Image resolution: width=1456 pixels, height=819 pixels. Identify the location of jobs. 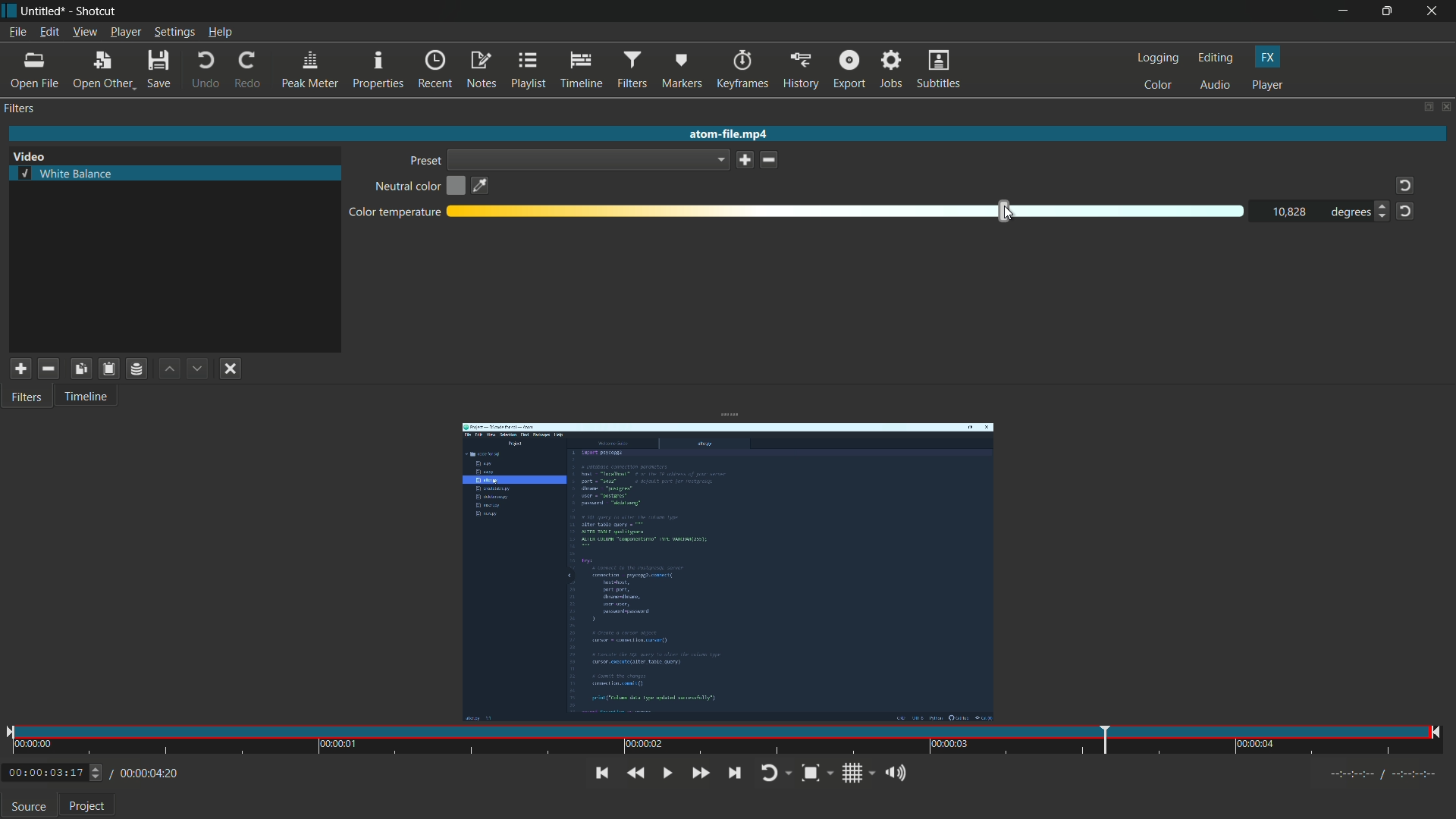
(893, 68).